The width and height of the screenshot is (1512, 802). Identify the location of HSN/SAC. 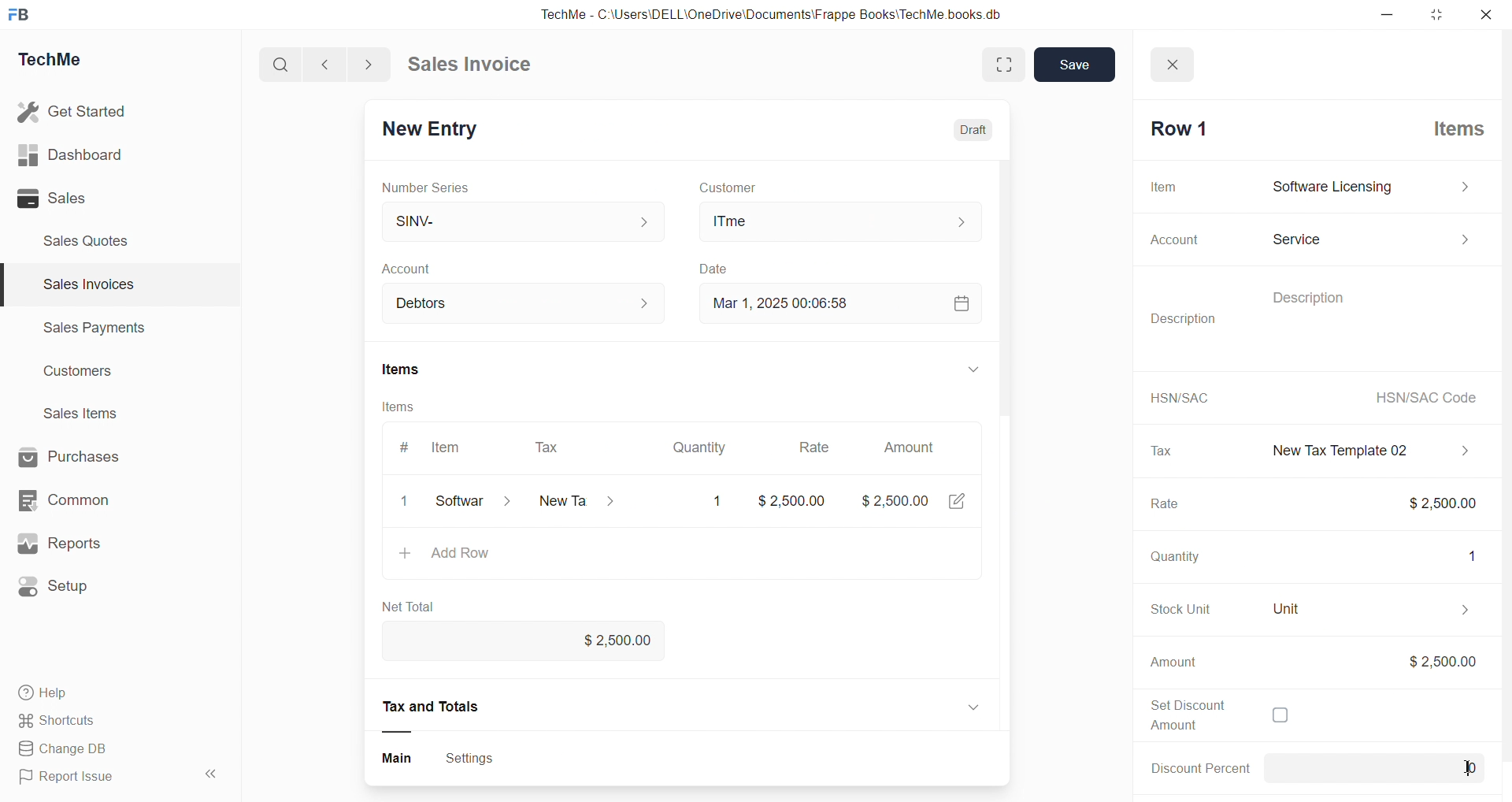
(1176, 397).